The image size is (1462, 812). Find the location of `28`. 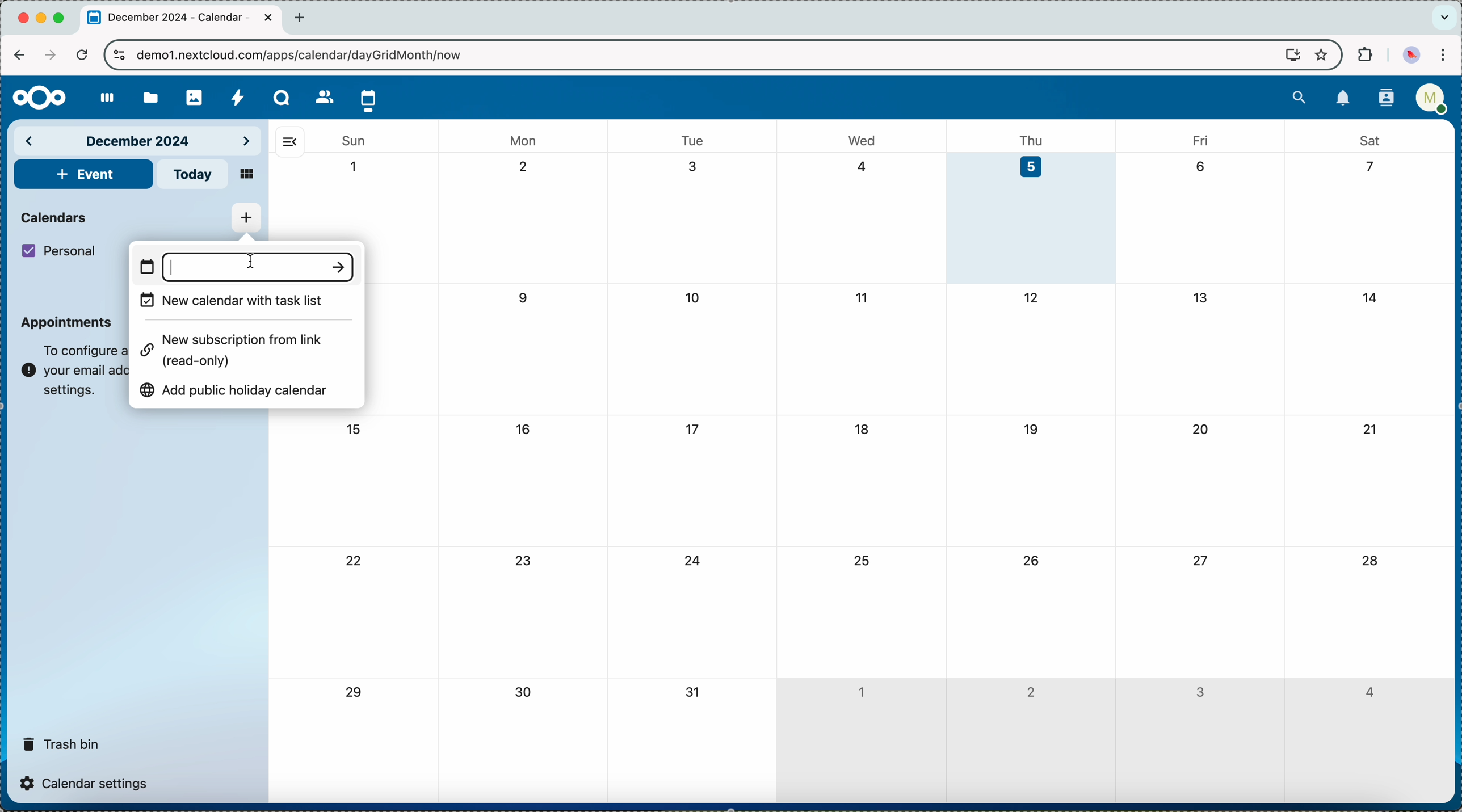

28 is located at coordinates (1369, 562).